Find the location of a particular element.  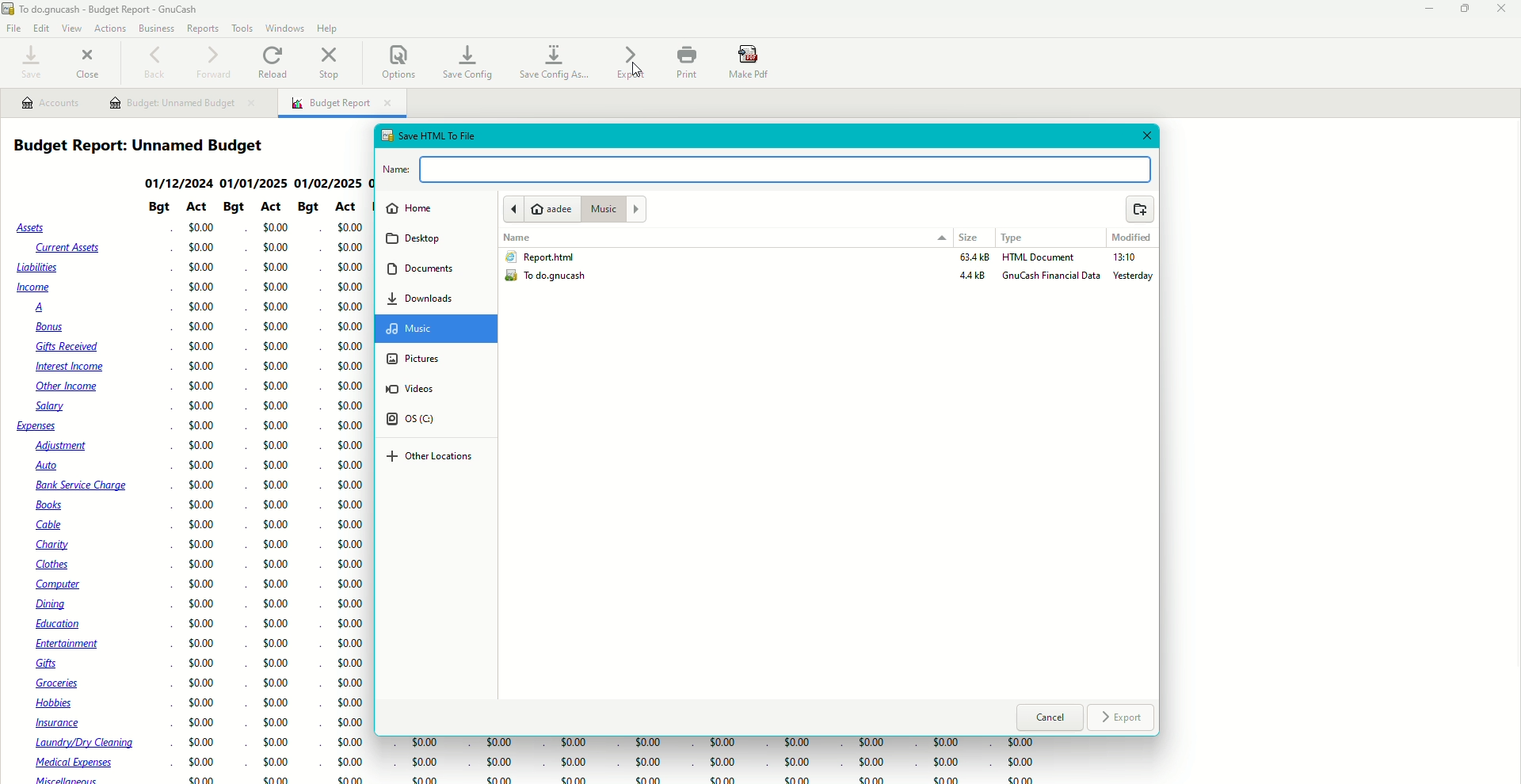

Tools is located at coordinates (240, 28).